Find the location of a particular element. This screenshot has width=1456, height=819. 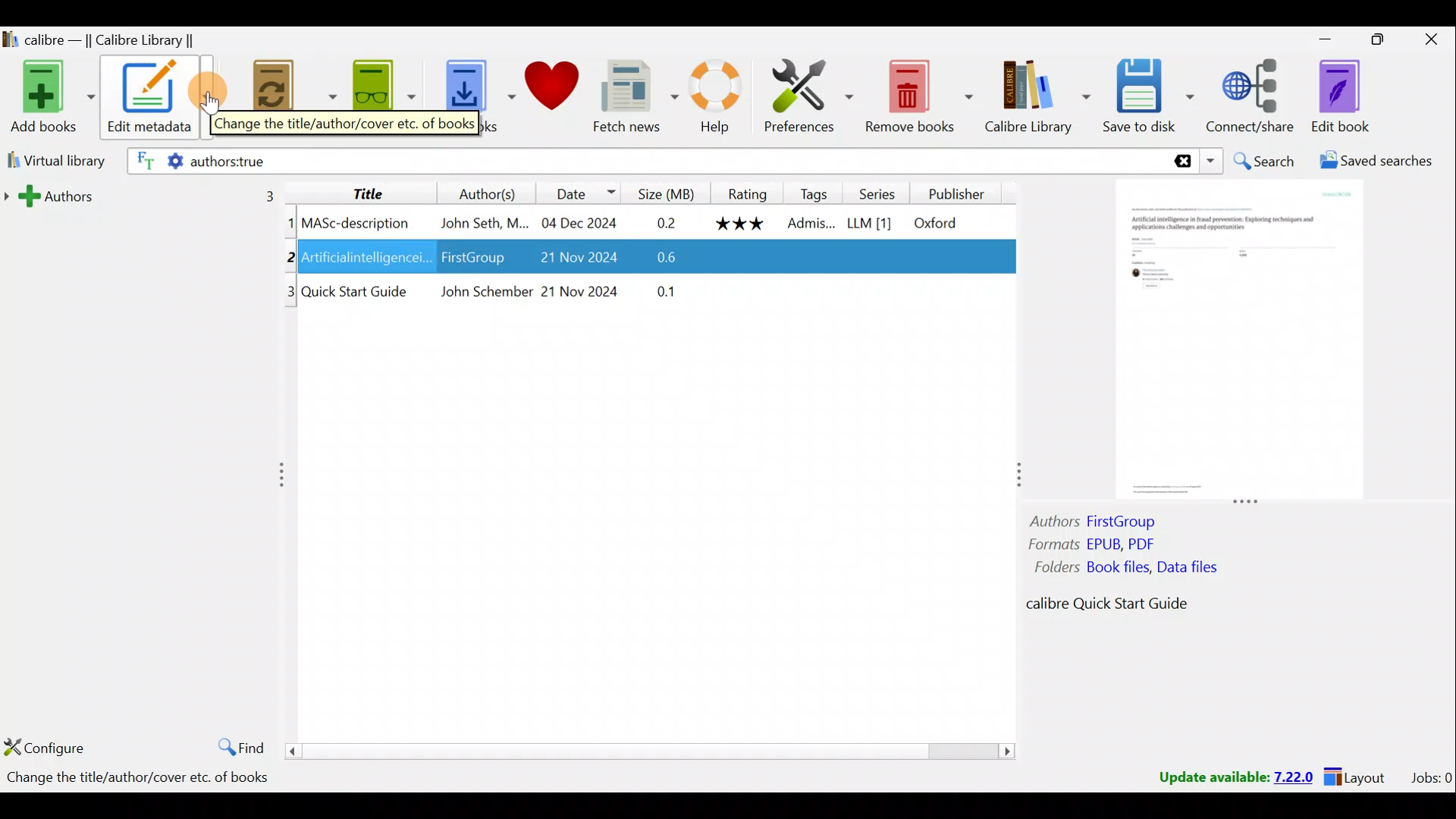

Edit metadata is located at coordinates (154, 99).